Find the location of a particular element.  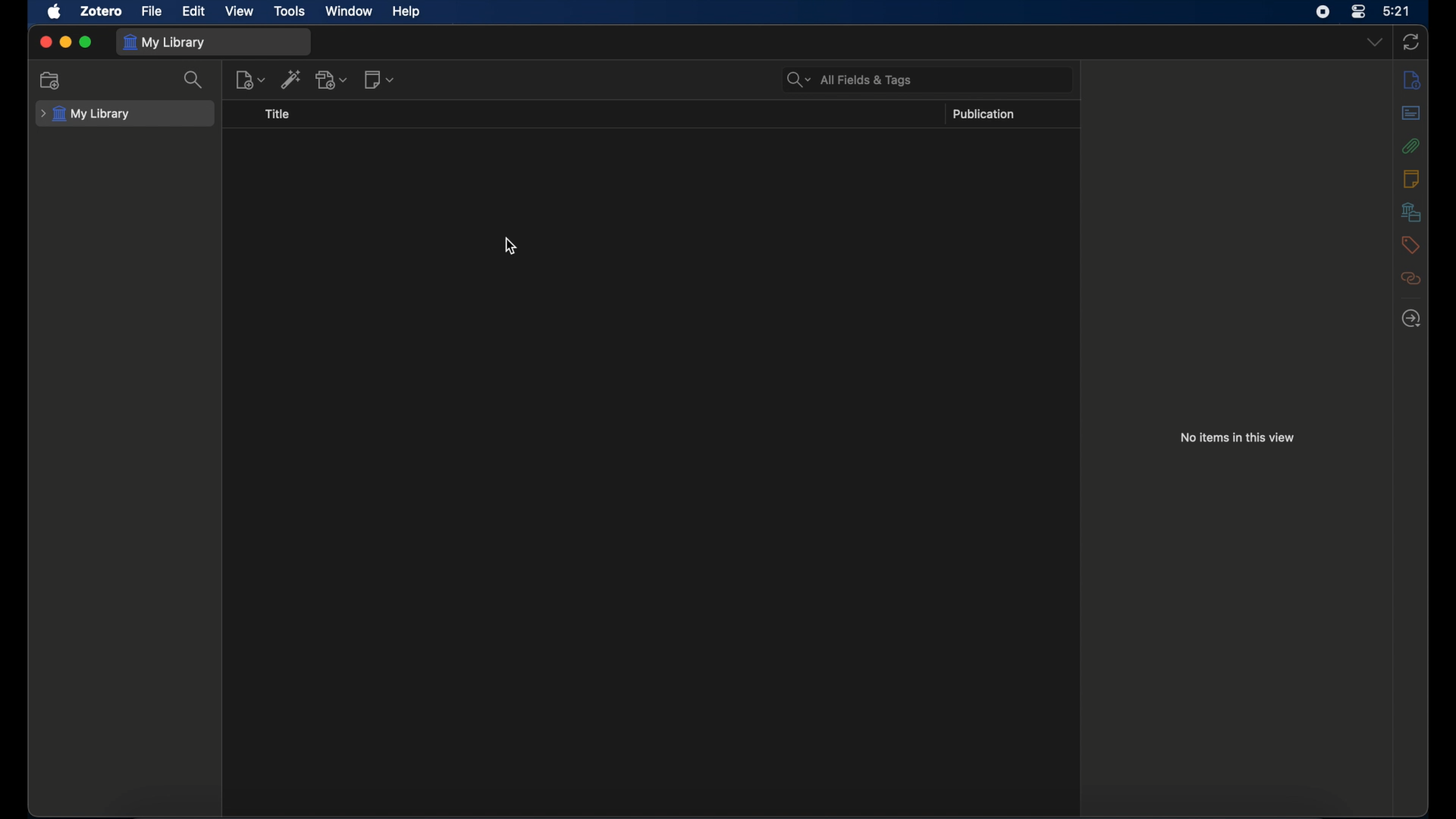

control center is located at coordinates (1359, 11).